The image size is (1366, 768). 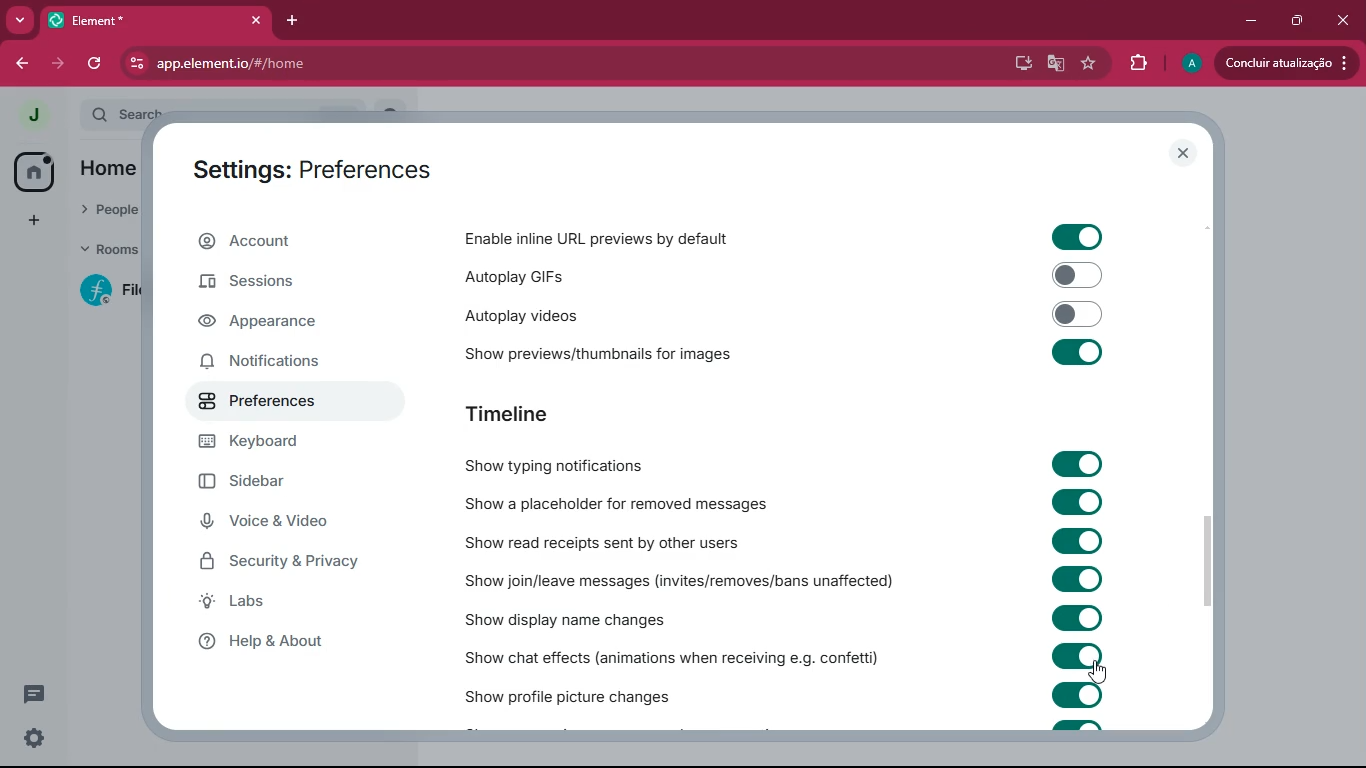 I want to click on autoplay videos, so click(x=565, y=313).